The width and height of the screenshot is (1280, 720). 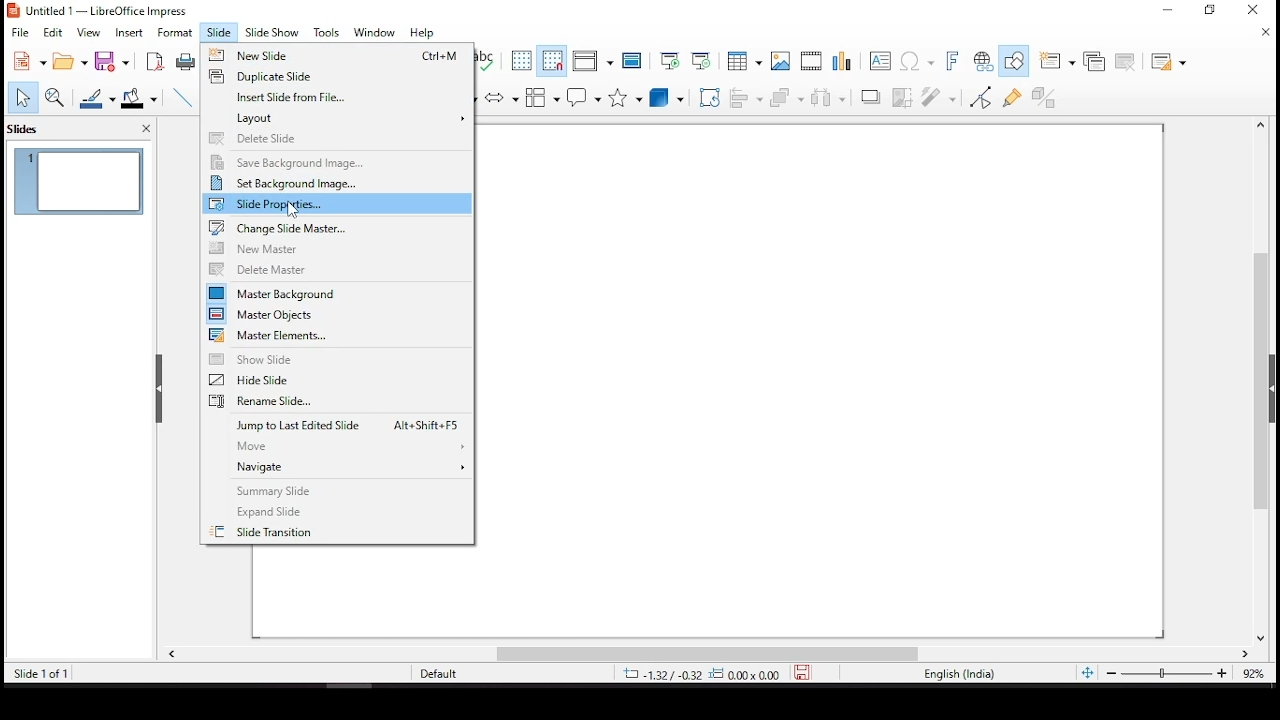 I want to click on select tool, so click(x=22, y=98).